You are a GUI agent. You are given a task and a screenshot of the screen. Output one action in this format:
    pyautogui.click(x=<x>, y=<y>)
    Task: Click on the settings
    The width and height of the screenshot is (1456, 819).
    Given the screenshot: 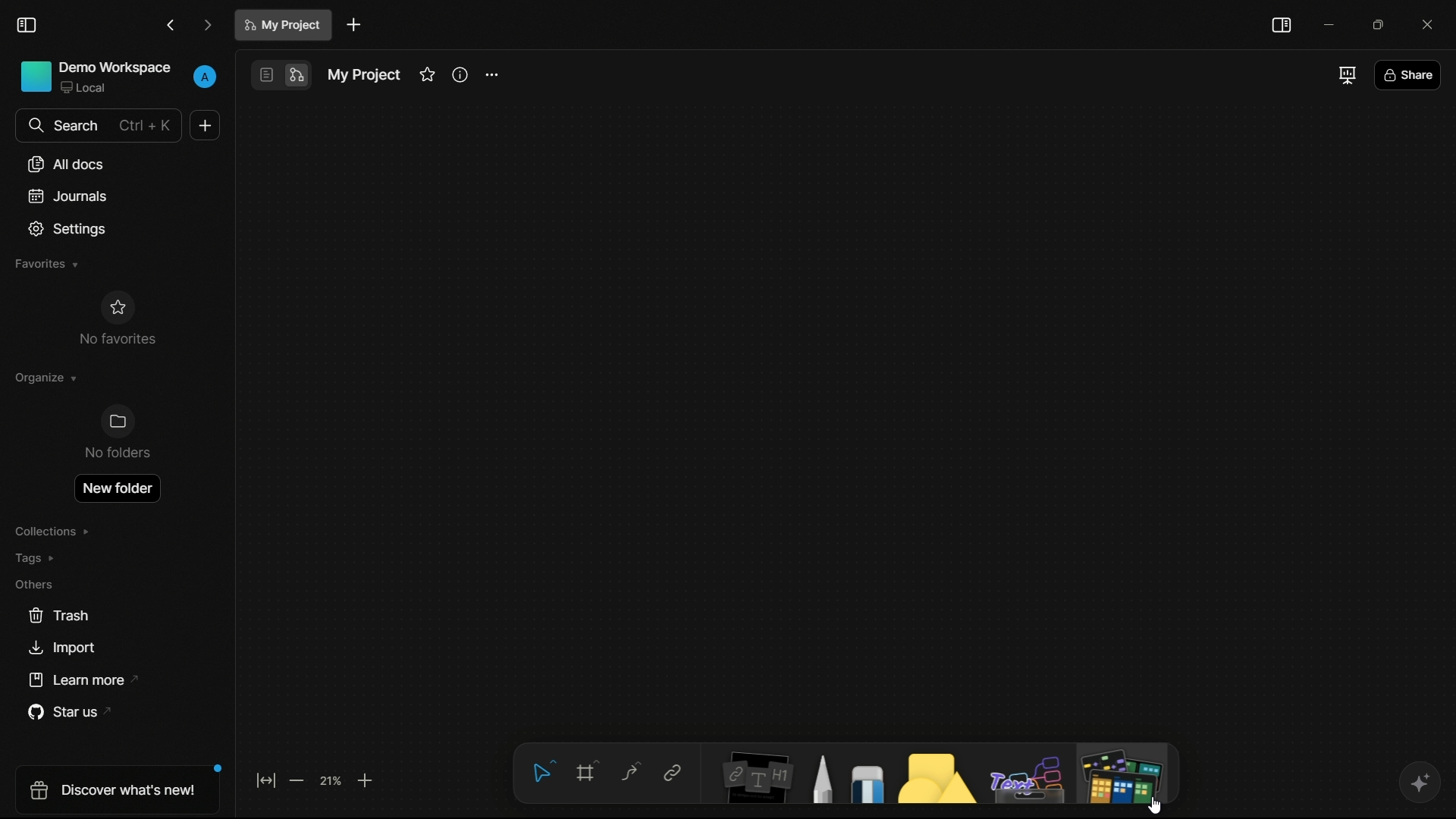 What is the action you would take?
    pyautogui.click(x=68, y=229)
    